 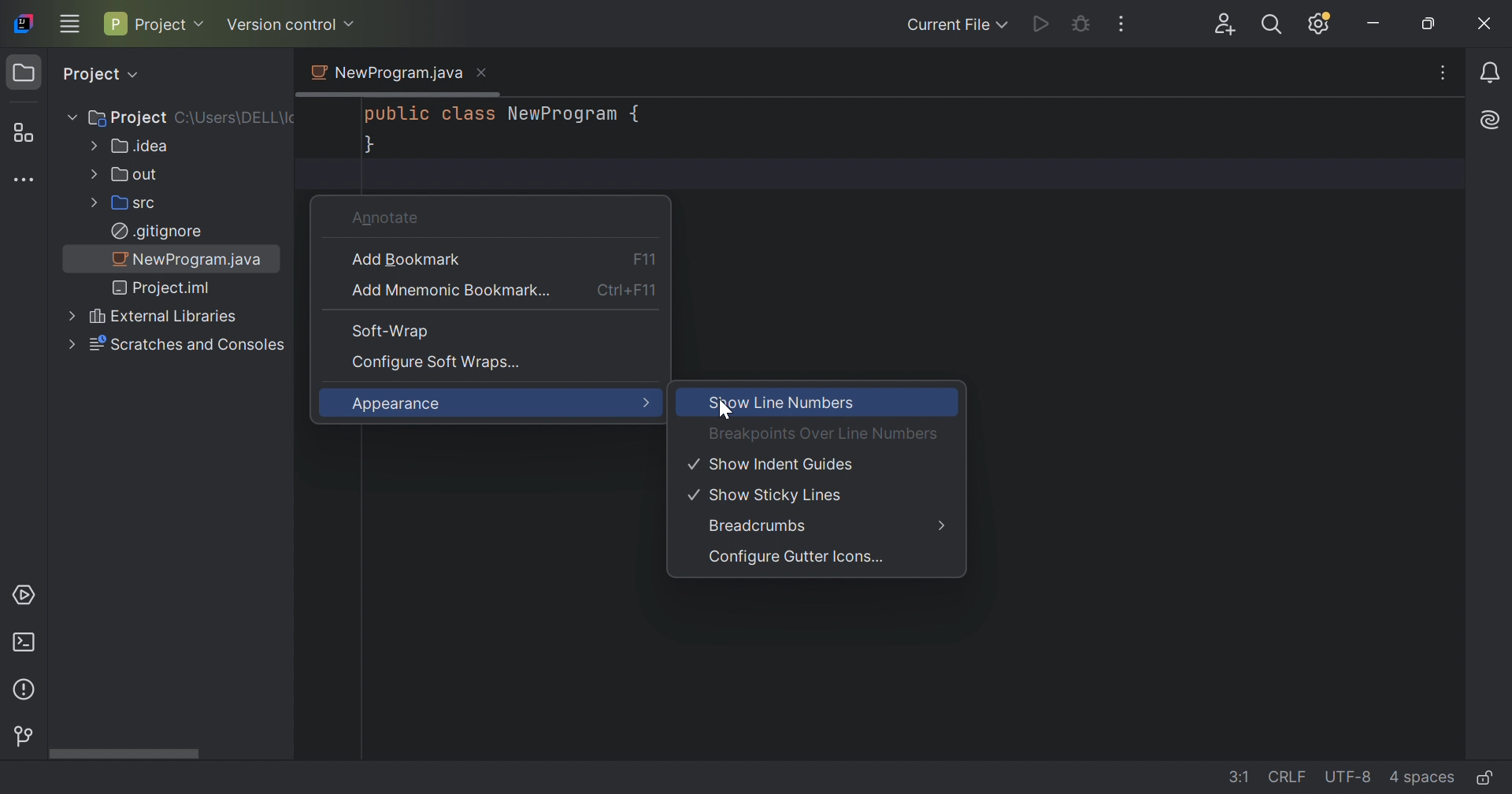 What do you see at coordinates (25, 738) in the screenshot?
I see `Version control` at bounding box center [25, 738].